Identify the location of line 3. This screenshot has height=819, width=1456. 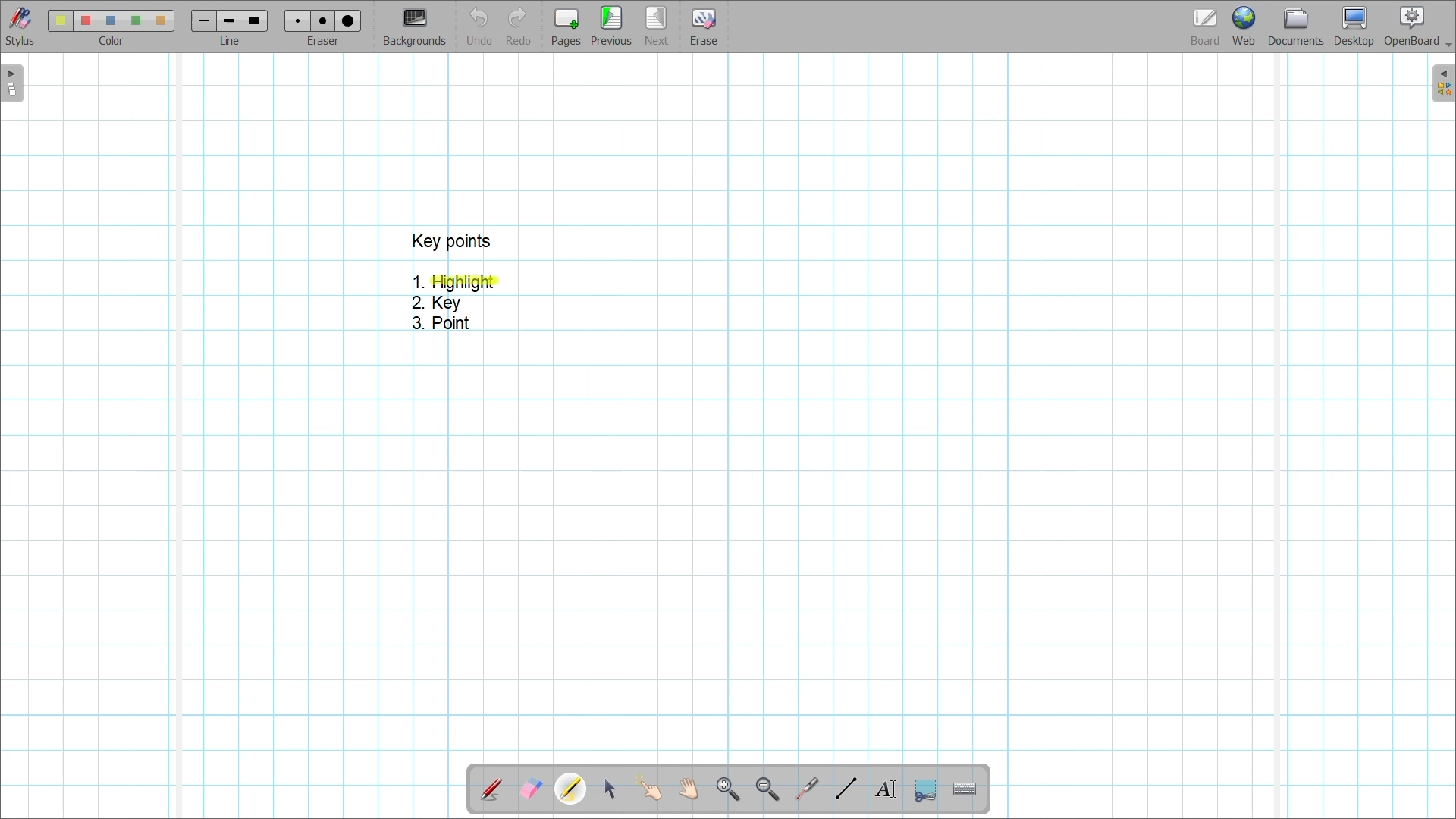
(253, 20).